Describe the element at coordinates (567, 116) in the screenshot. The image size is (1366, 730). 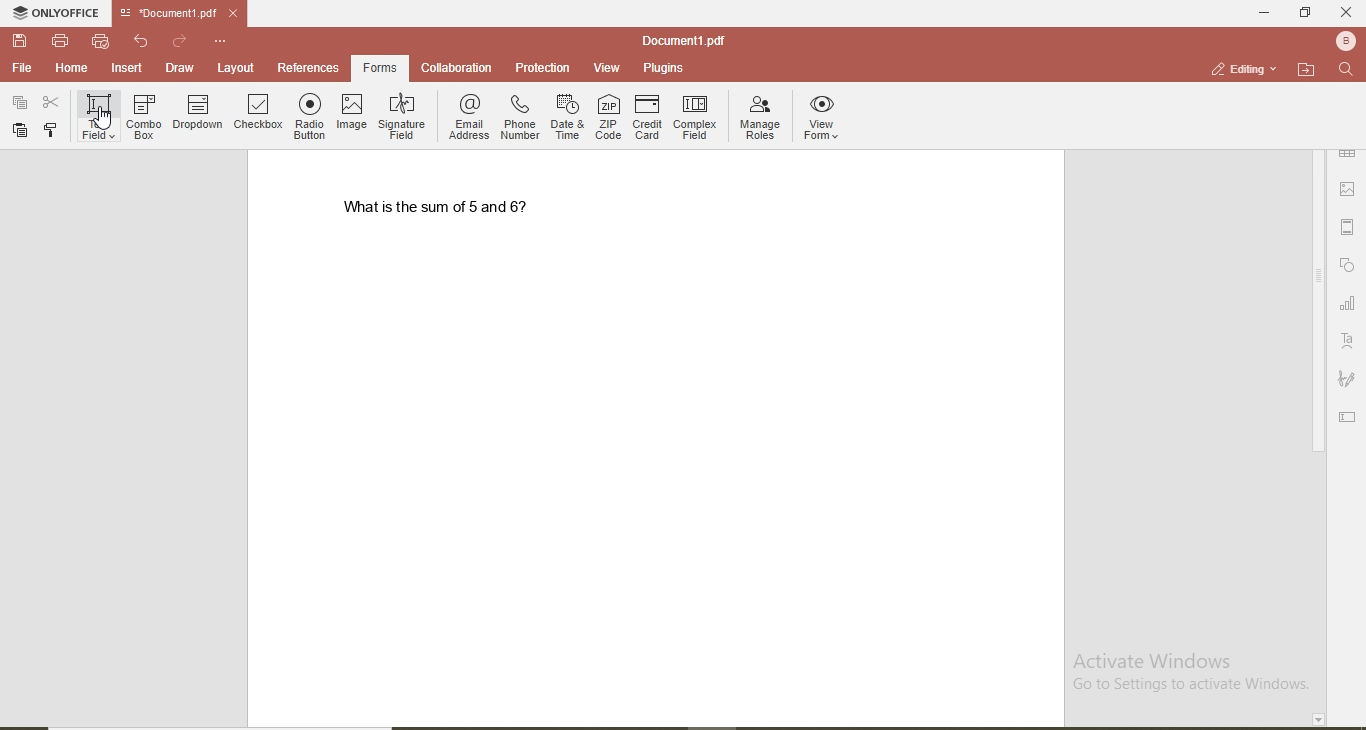
I see `date & time` at that location.